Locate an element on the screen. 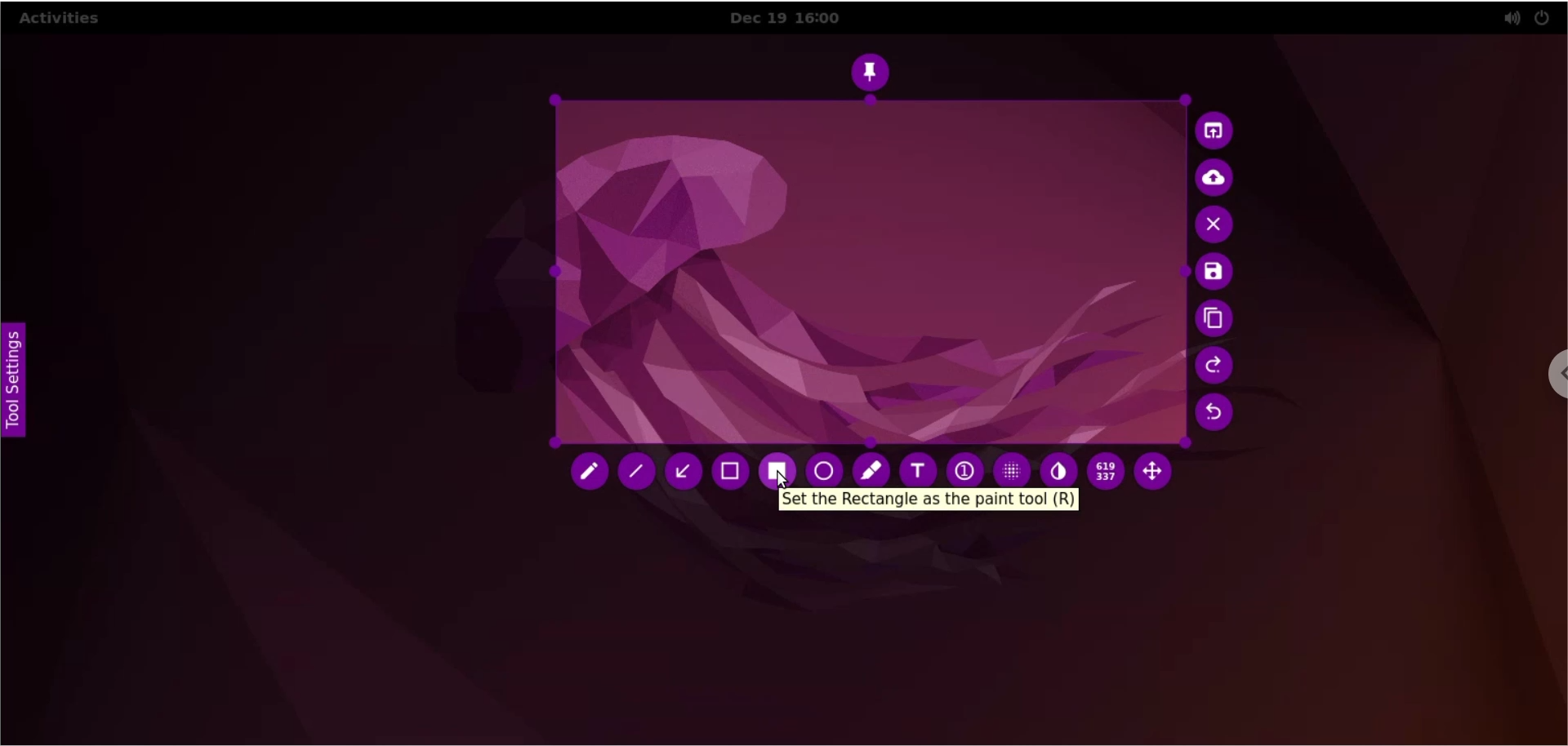  pin  is located at coordinates (875, 69).